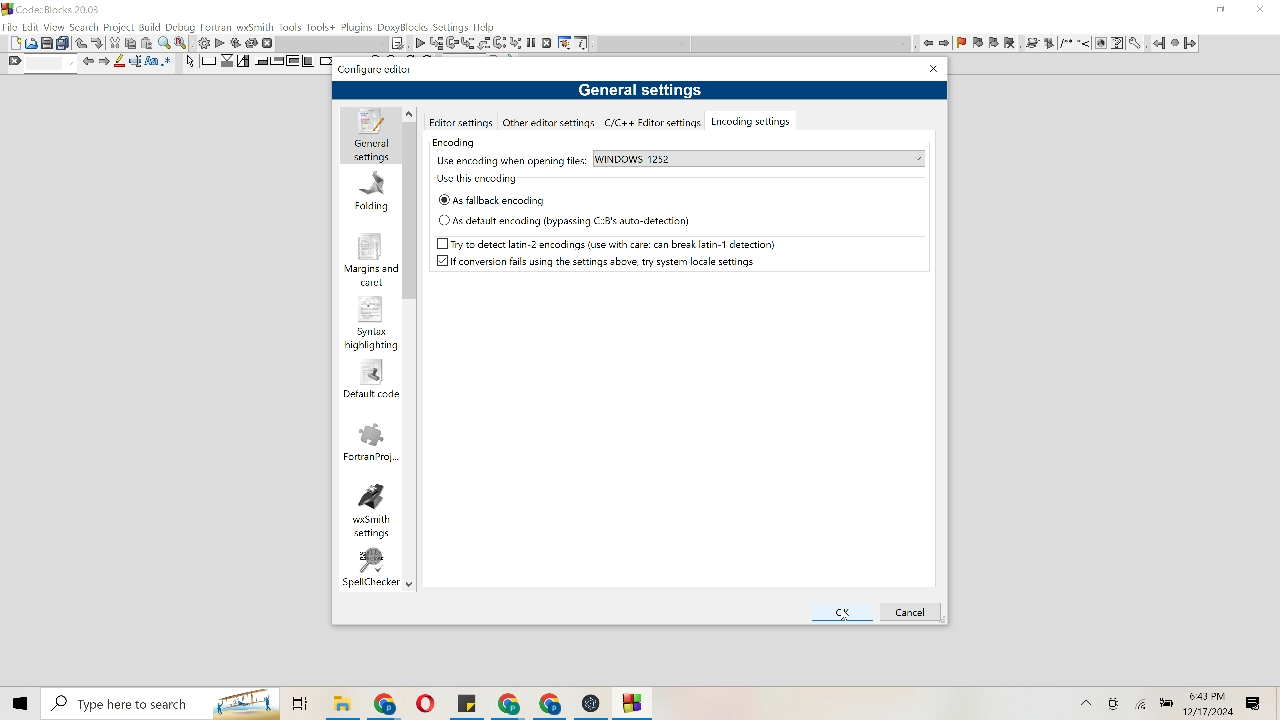 This screenshot has height=720, width=1280. Describe the element at coordinates (165, 43) in the screenshot. I see `Find` at that location.